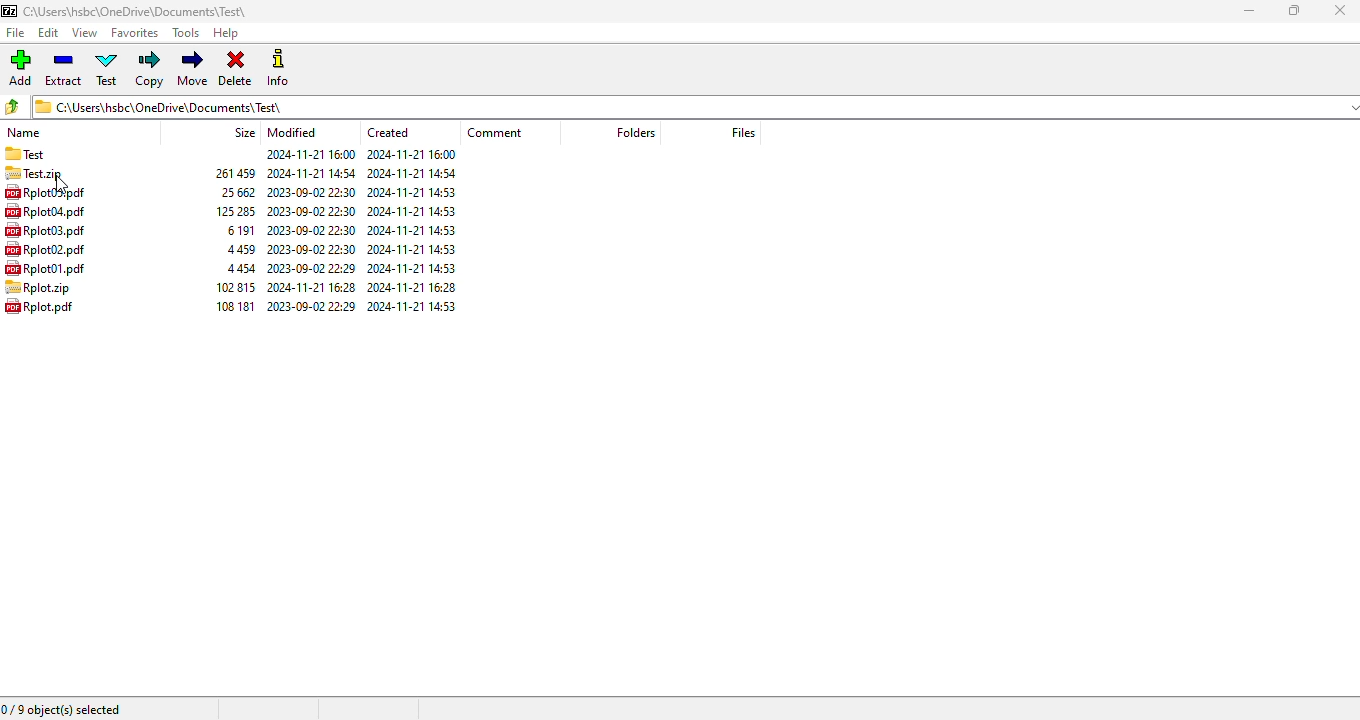  Describe the element at coordinates (312, 248) in the screenshot. I see `modified date & time` at that location.